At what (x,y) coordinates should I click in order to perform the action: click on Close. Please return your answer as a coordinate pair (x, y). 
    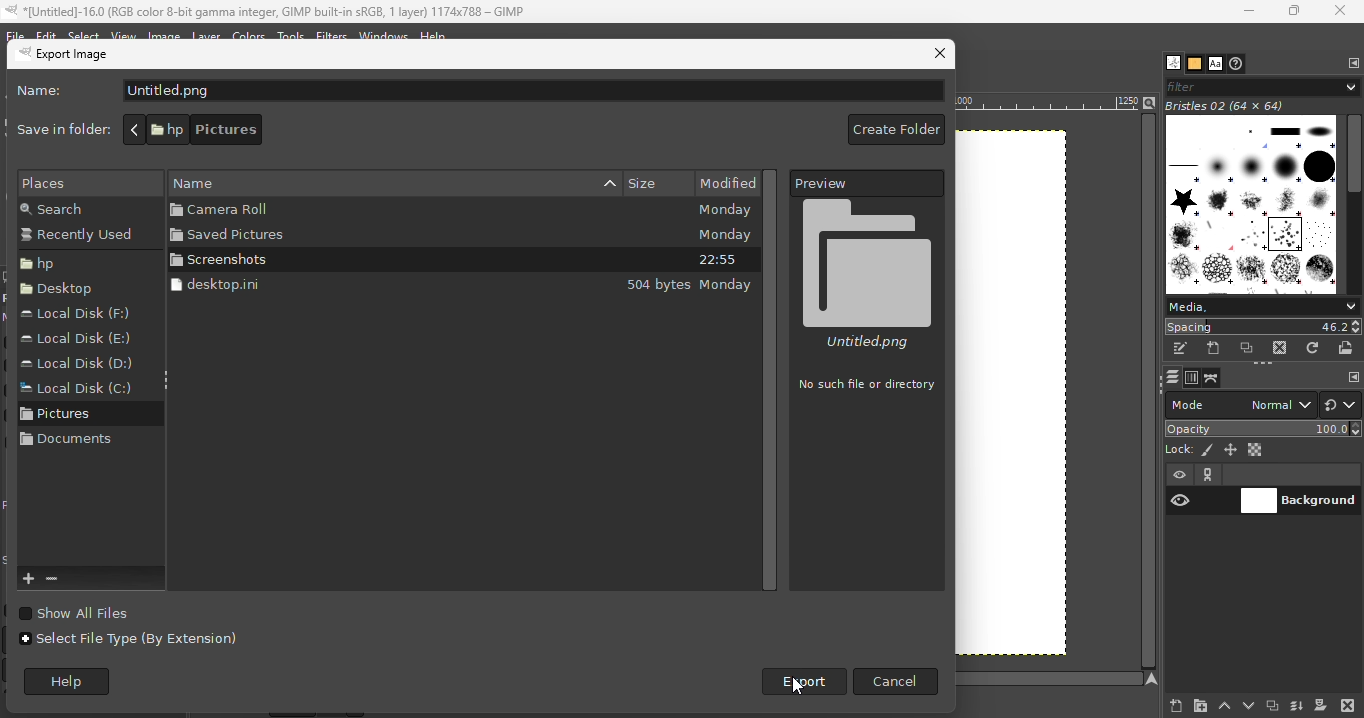
    Looking at the image, I should click on (1341, 11).